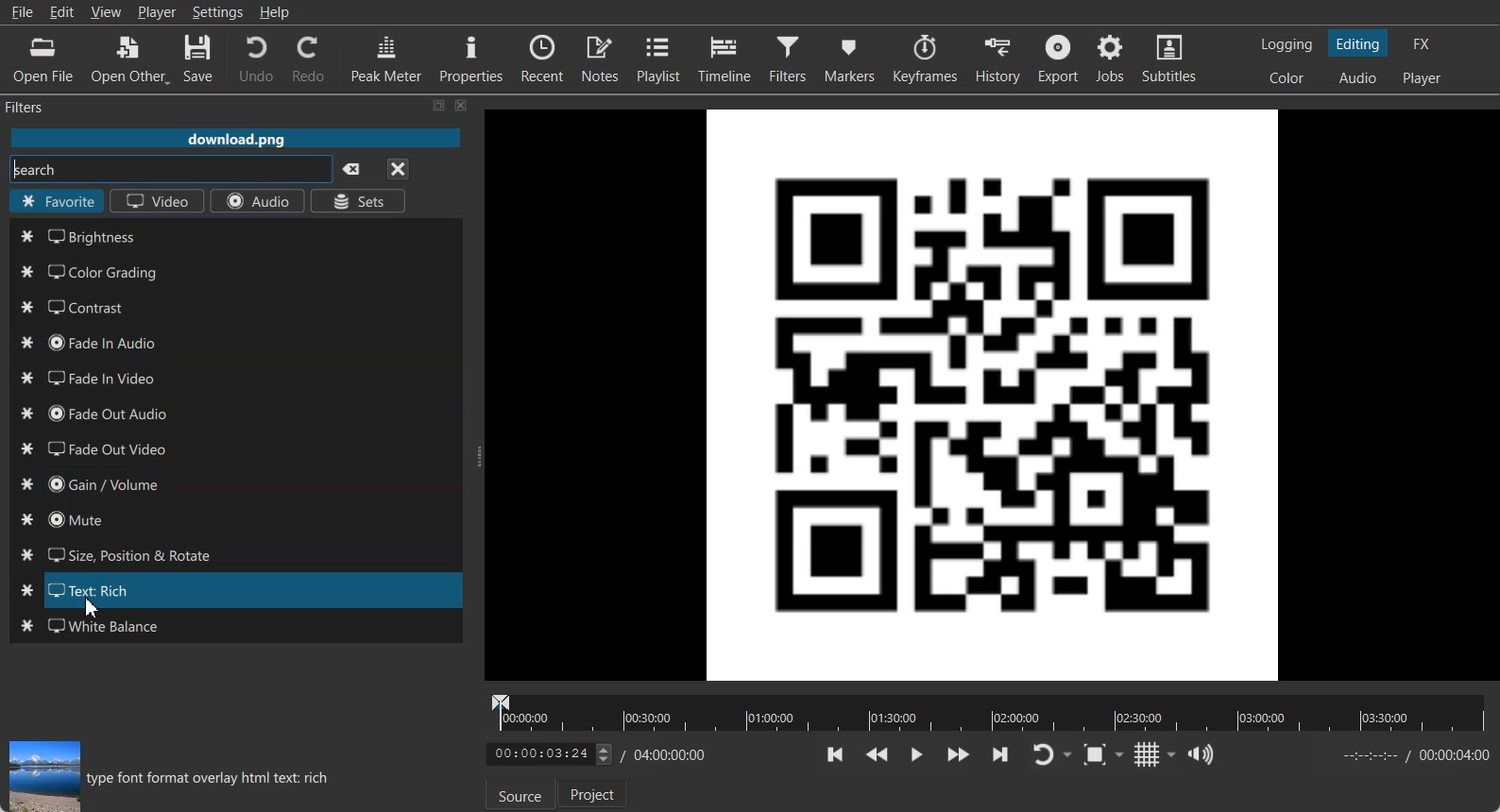 The width and height of the screenshot is (1500, 812). What do you see at coordinates (387, 58) in the screenshot?
I see `Peak Meter` at bounding box center [387, 58].